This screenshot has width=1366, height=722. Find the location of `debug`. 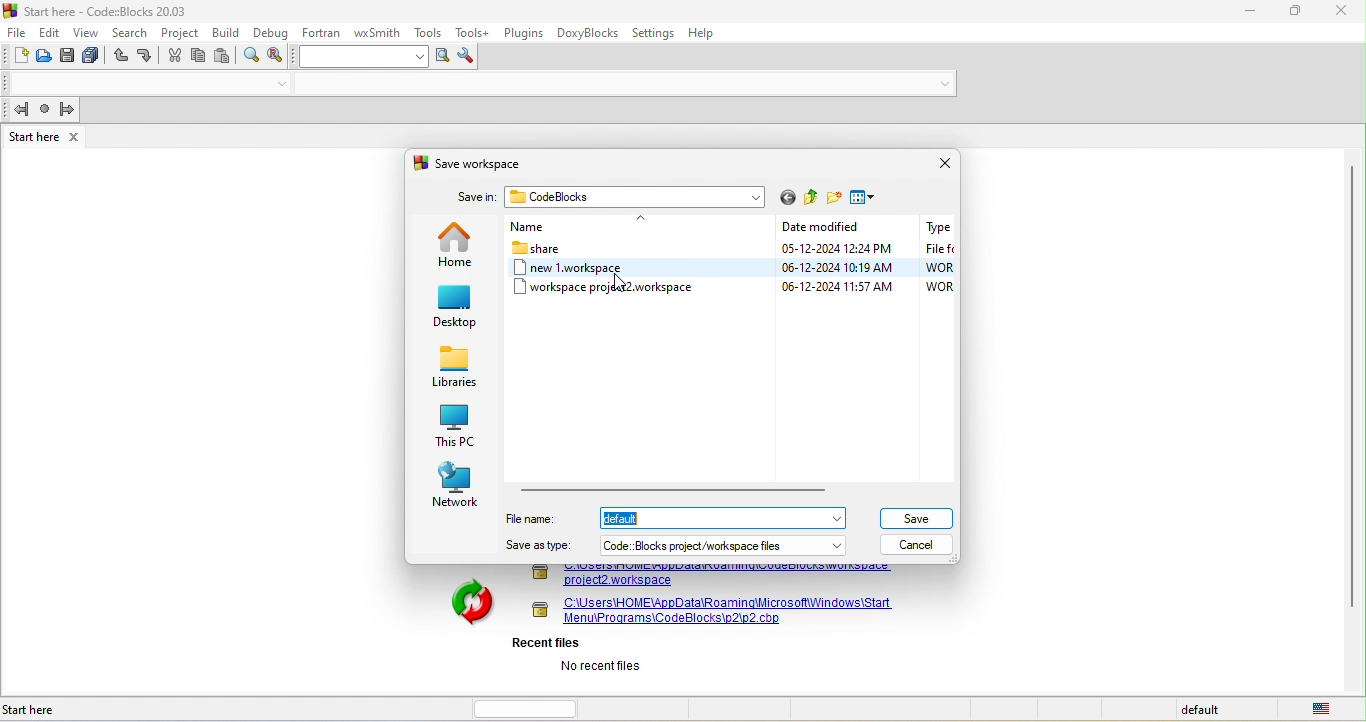

debug is located at coordinates (270, 31).